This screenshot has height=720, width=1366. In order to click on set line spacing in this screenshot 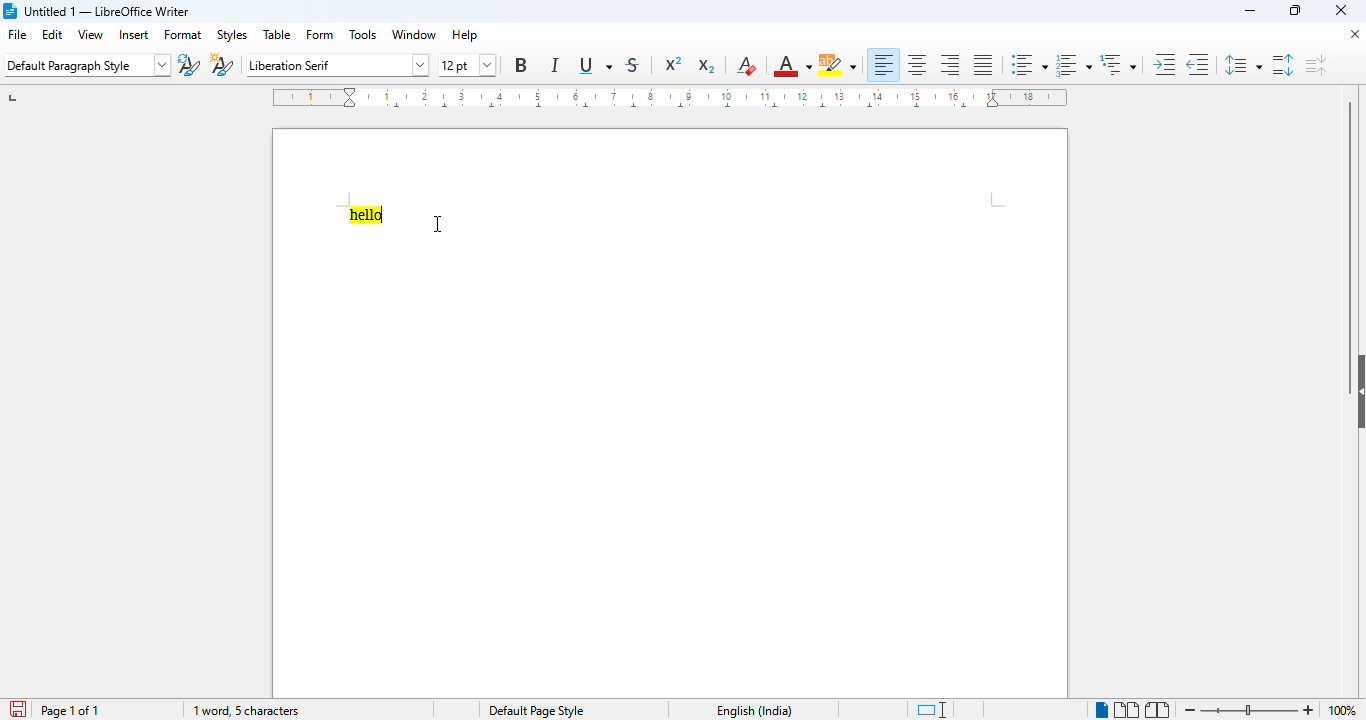, I will do `click(1241, 65)`.